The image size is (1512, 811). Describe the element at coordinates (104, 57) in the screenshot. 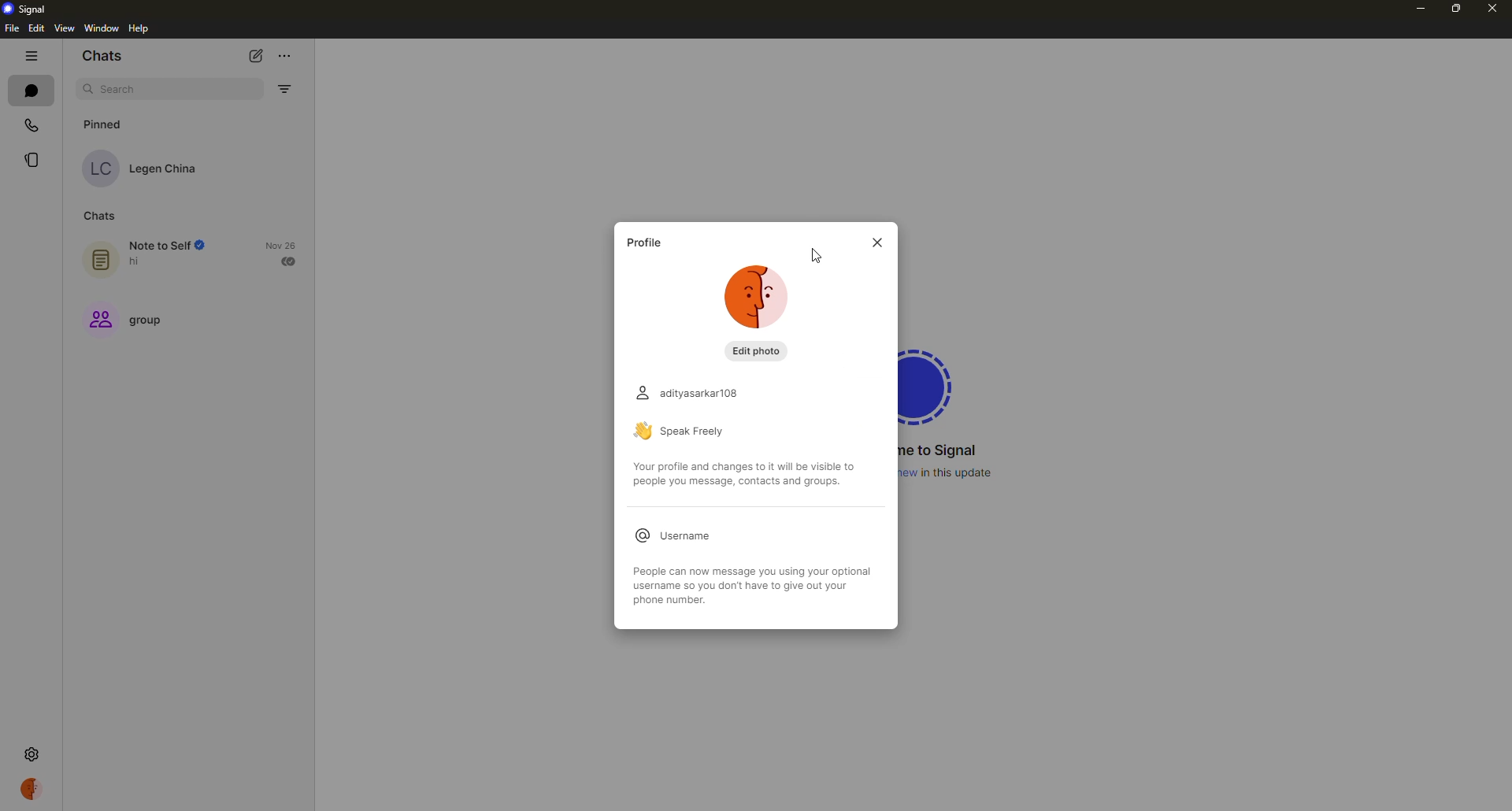

I see `chats` at that location.